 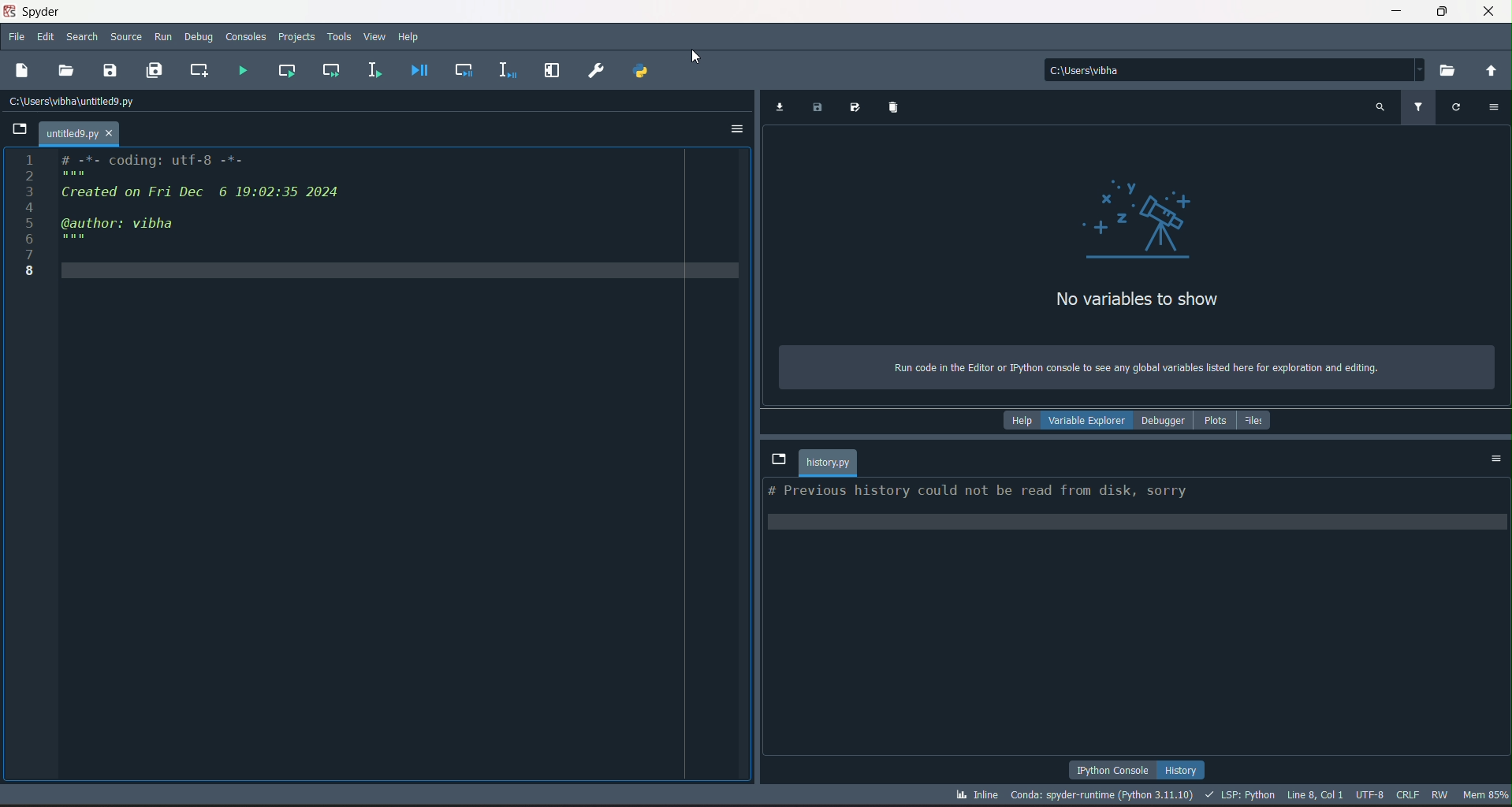 What do you see at coordinates (331, 70) in the screenshot?
I see `run current cell and go to next` at bounding box center [331, 70].